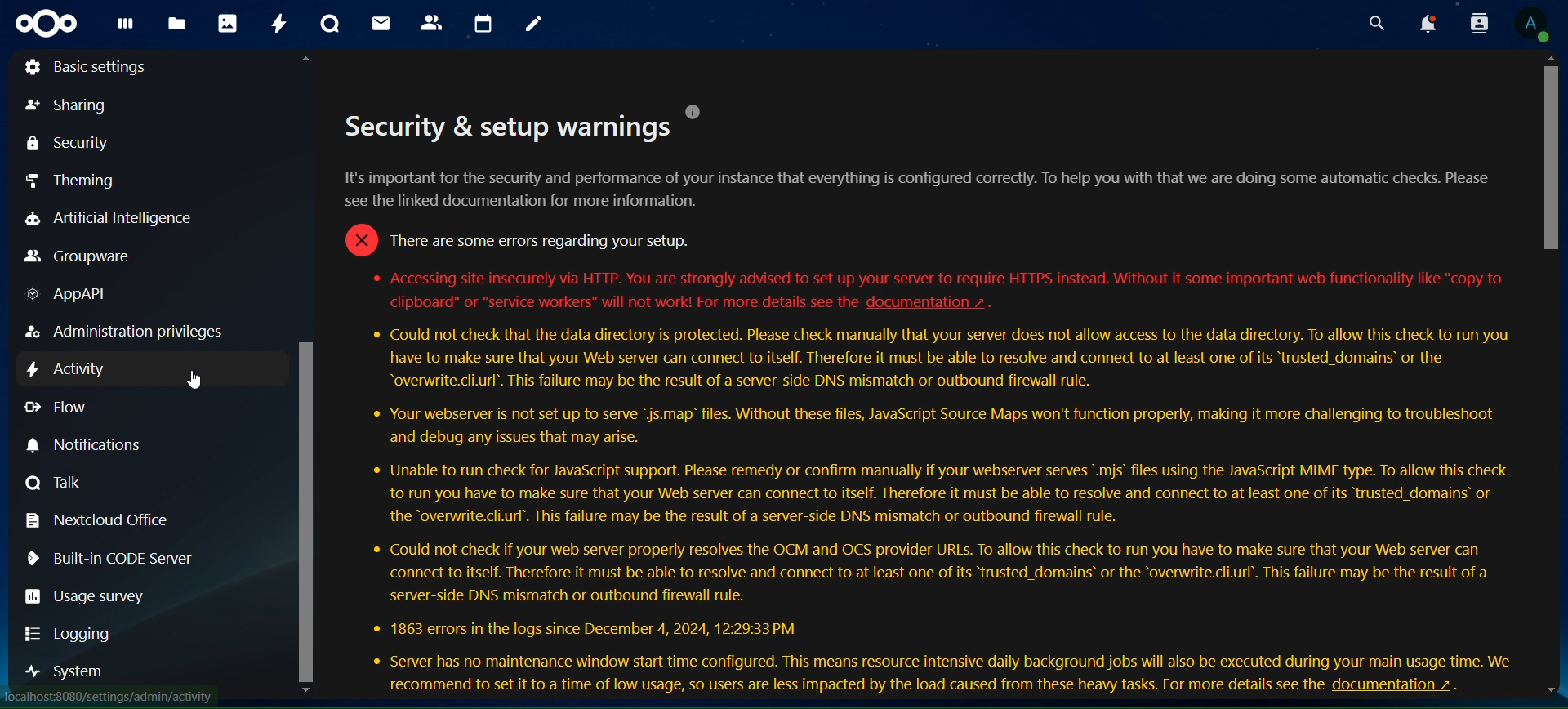 The height and width of the screenshot is (709, 1568). What do you see at coordinates (1371, 22) in the screenshot?
I see `search` at bounding box center [1371, 22].